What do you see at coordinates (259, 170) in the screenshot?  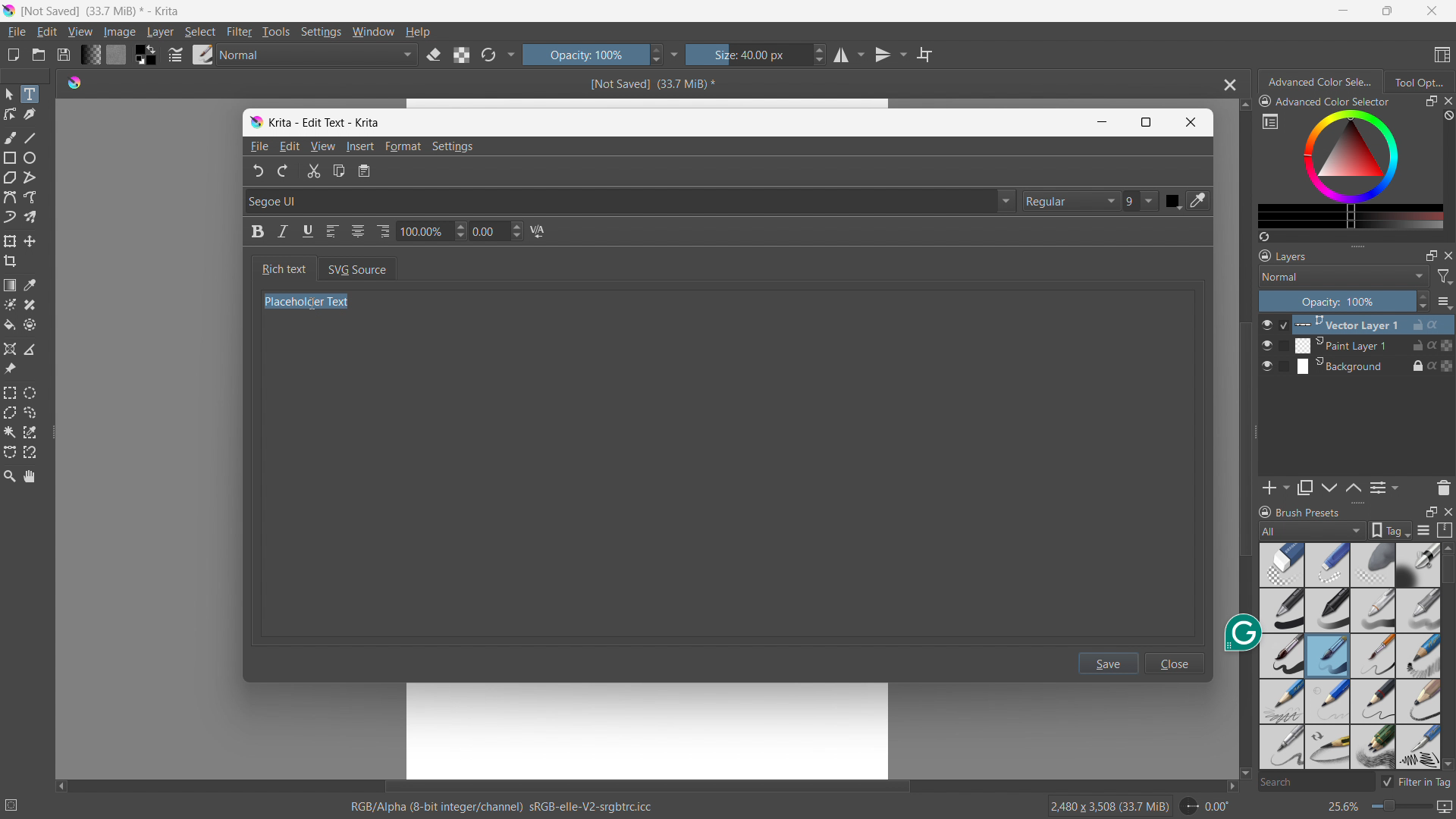 I see `undo` at bounding box center [259, 170].